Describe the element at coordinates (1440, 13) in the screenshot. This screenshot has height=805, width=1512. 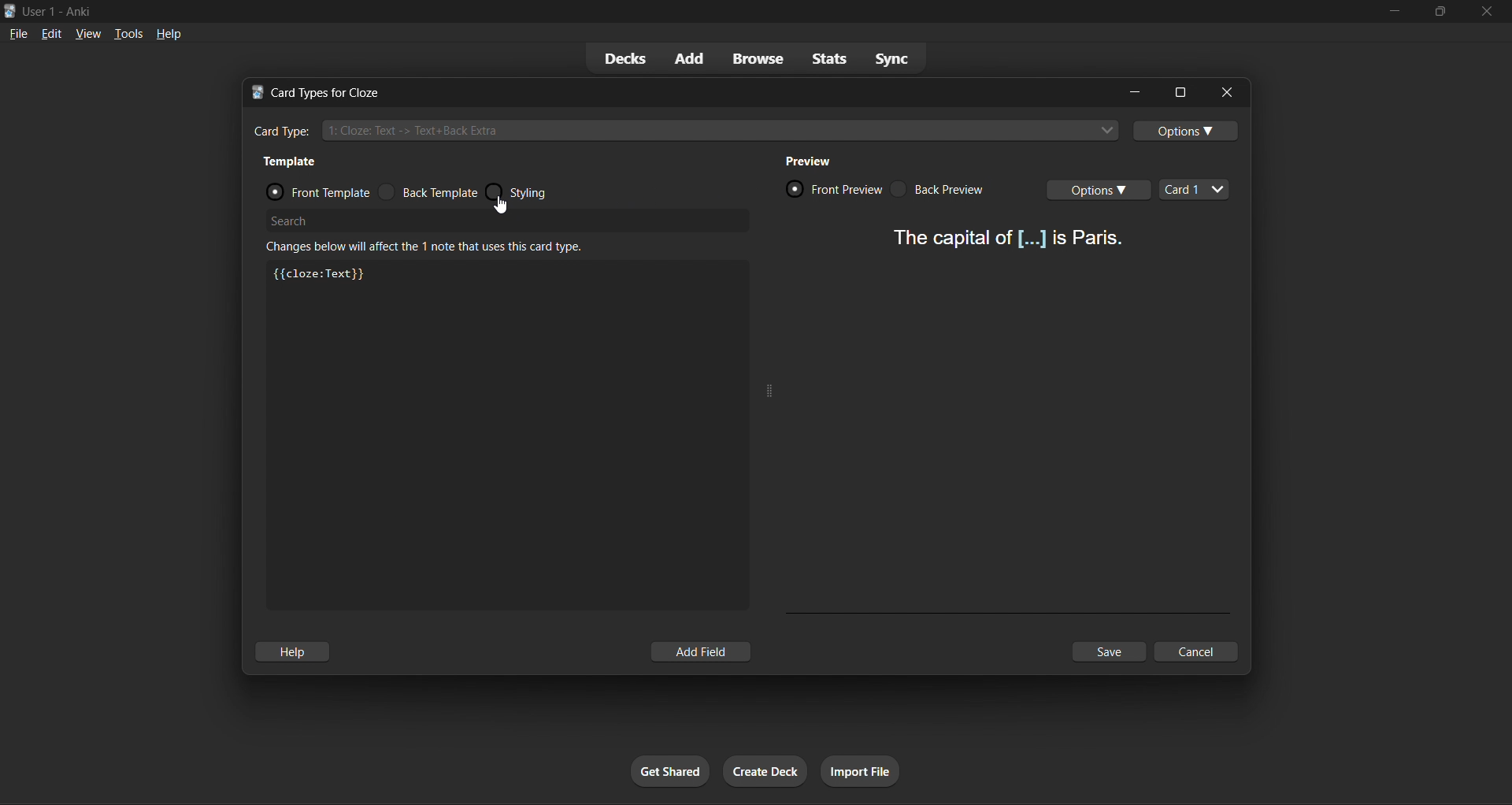
I see `maximize` at that location.